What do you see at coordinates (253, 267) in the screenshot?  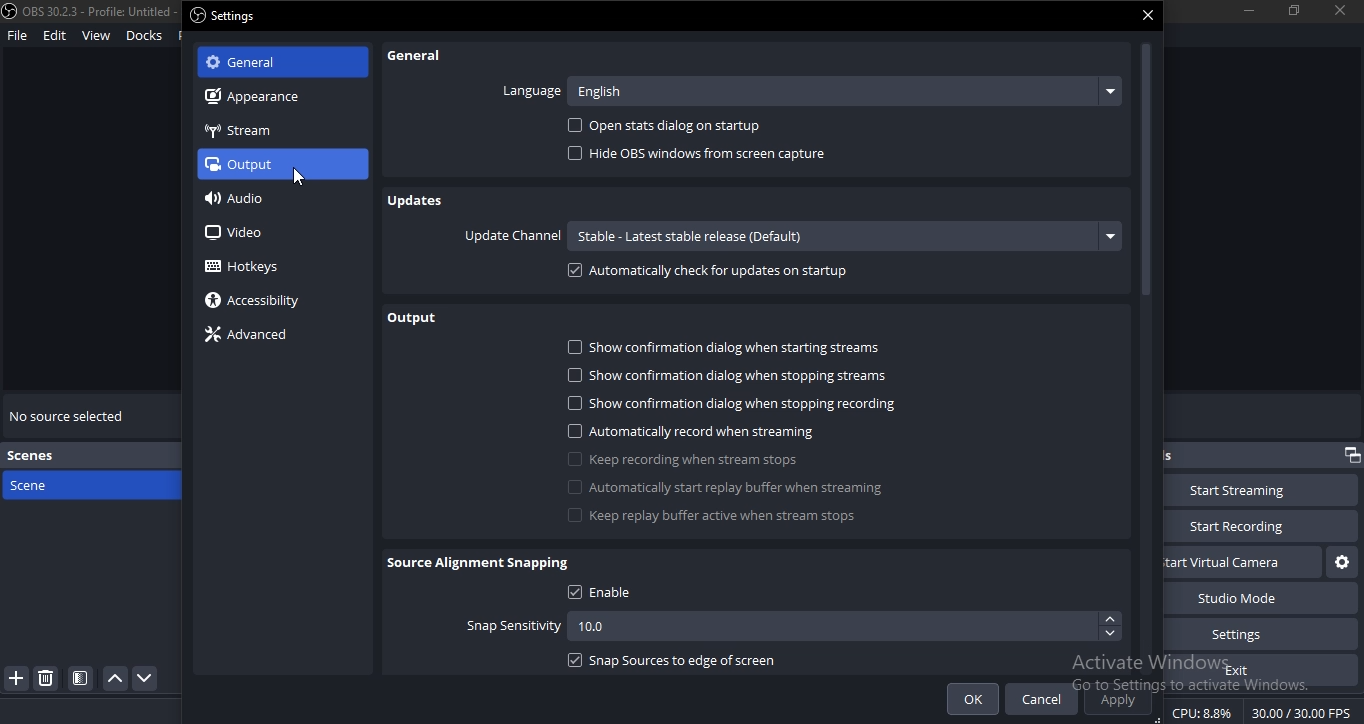 I see `hotkeys` at bounding box center [253, 267].